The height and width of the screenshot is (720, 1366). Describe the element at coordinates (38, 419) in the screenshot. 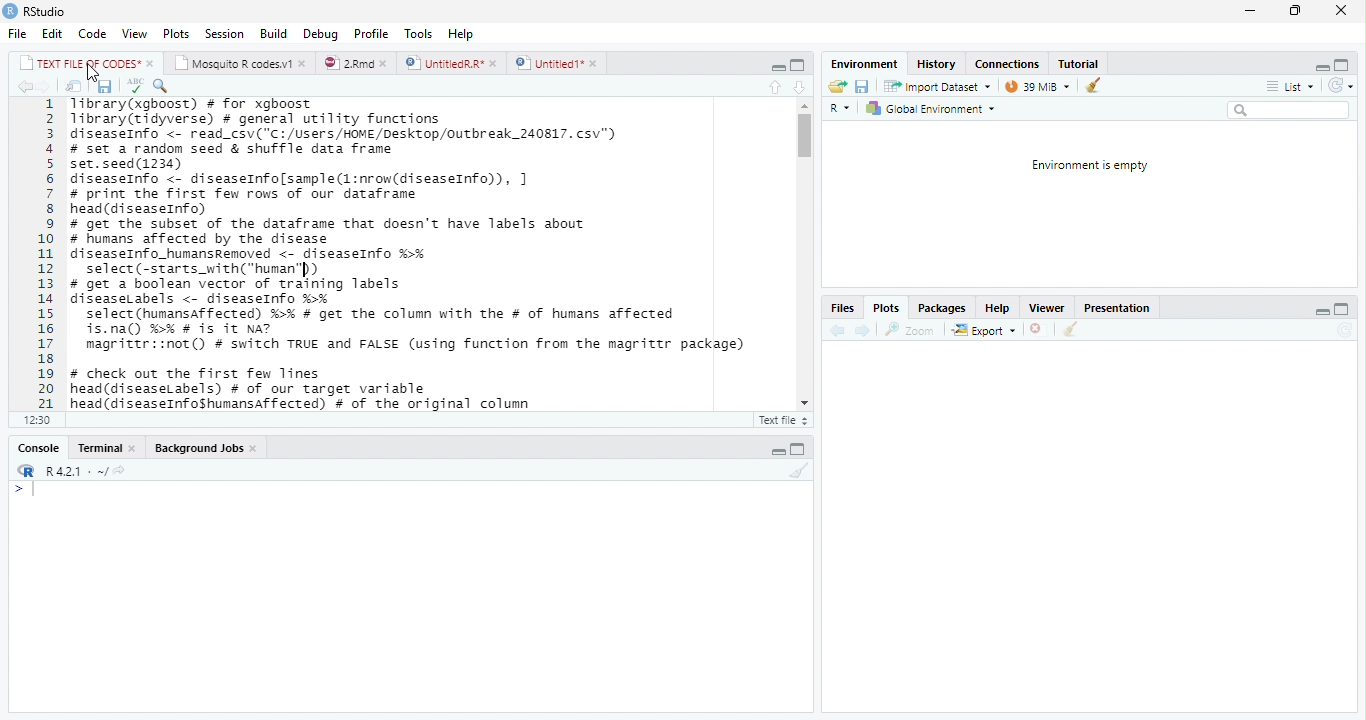

I see `1:1` at that location.